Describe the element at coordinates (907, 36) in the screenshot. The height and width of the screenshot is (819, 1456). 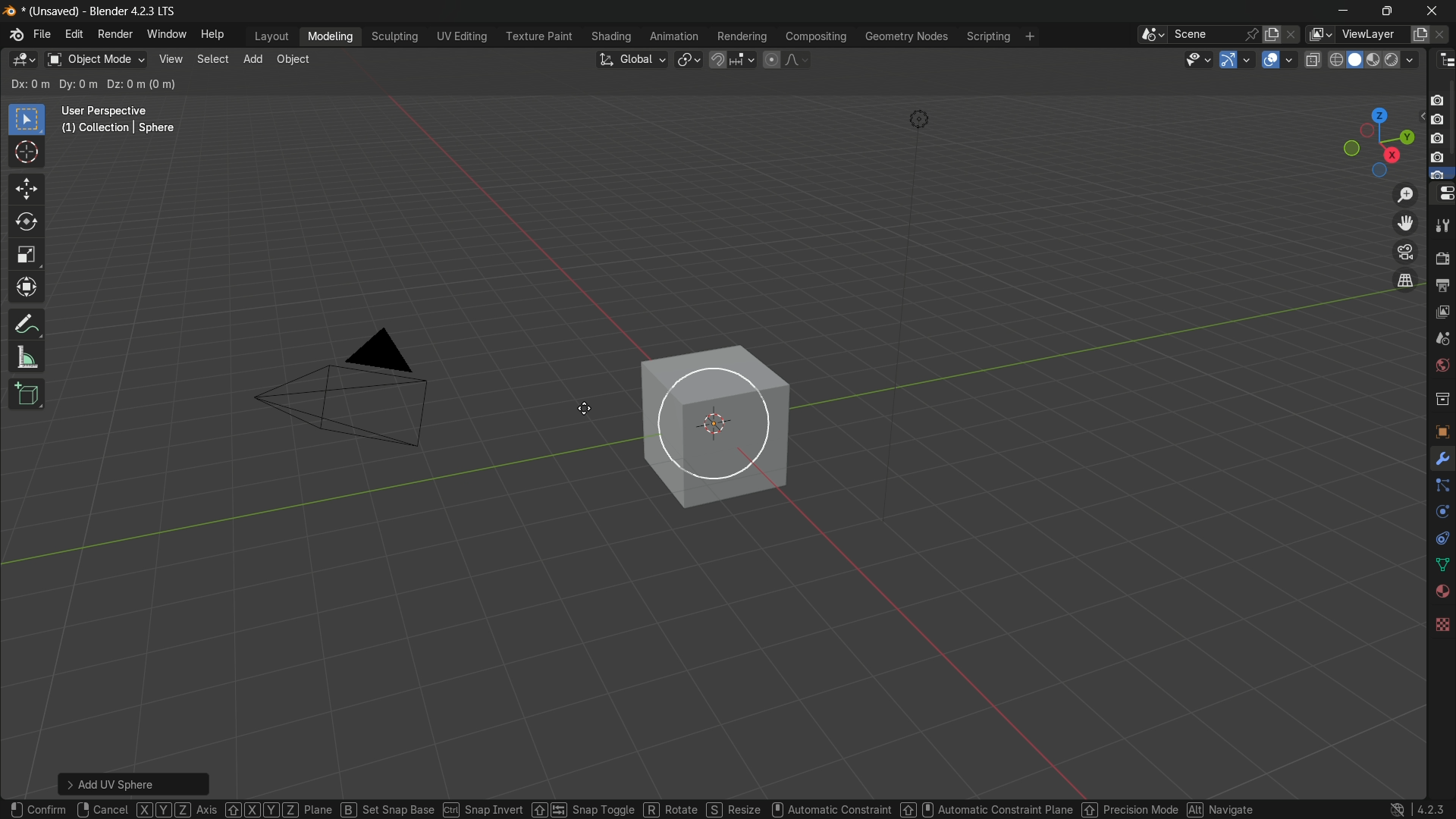
I see `geometry nodes menu` at that location.